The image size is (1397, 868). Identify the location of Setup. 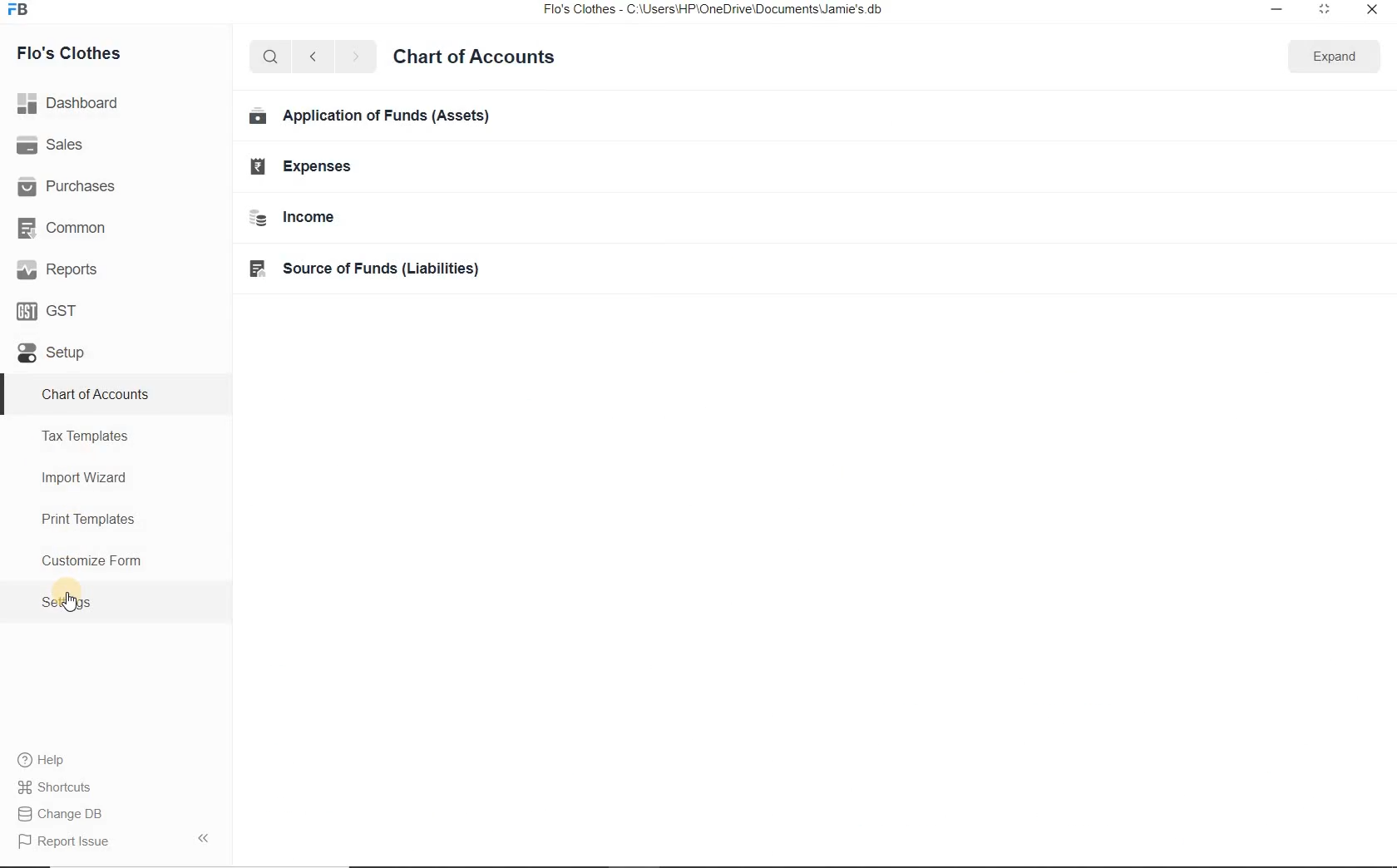
(52, 353).